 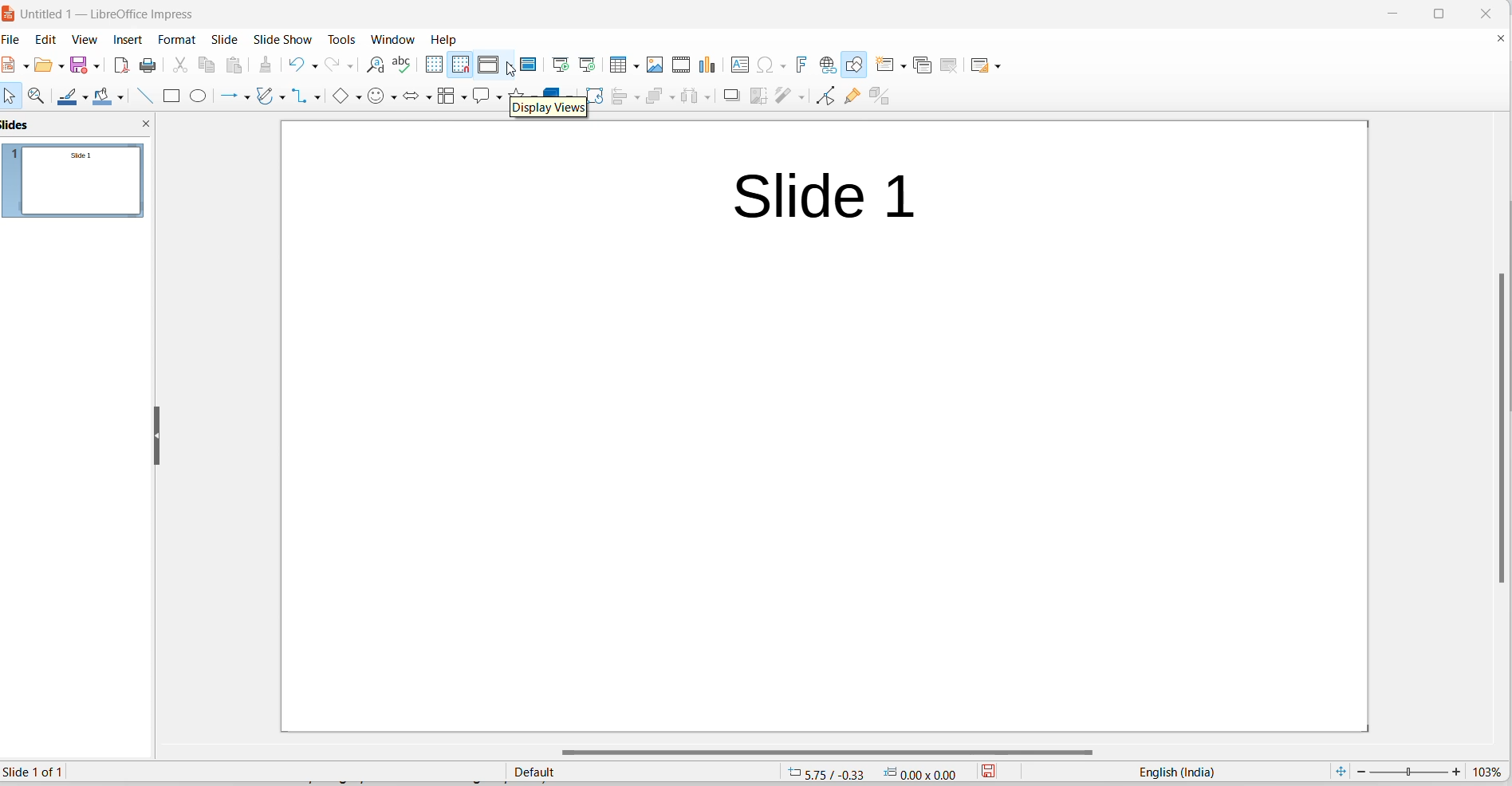 I want to click on toggle extrusion, so click(x=885, y=98).